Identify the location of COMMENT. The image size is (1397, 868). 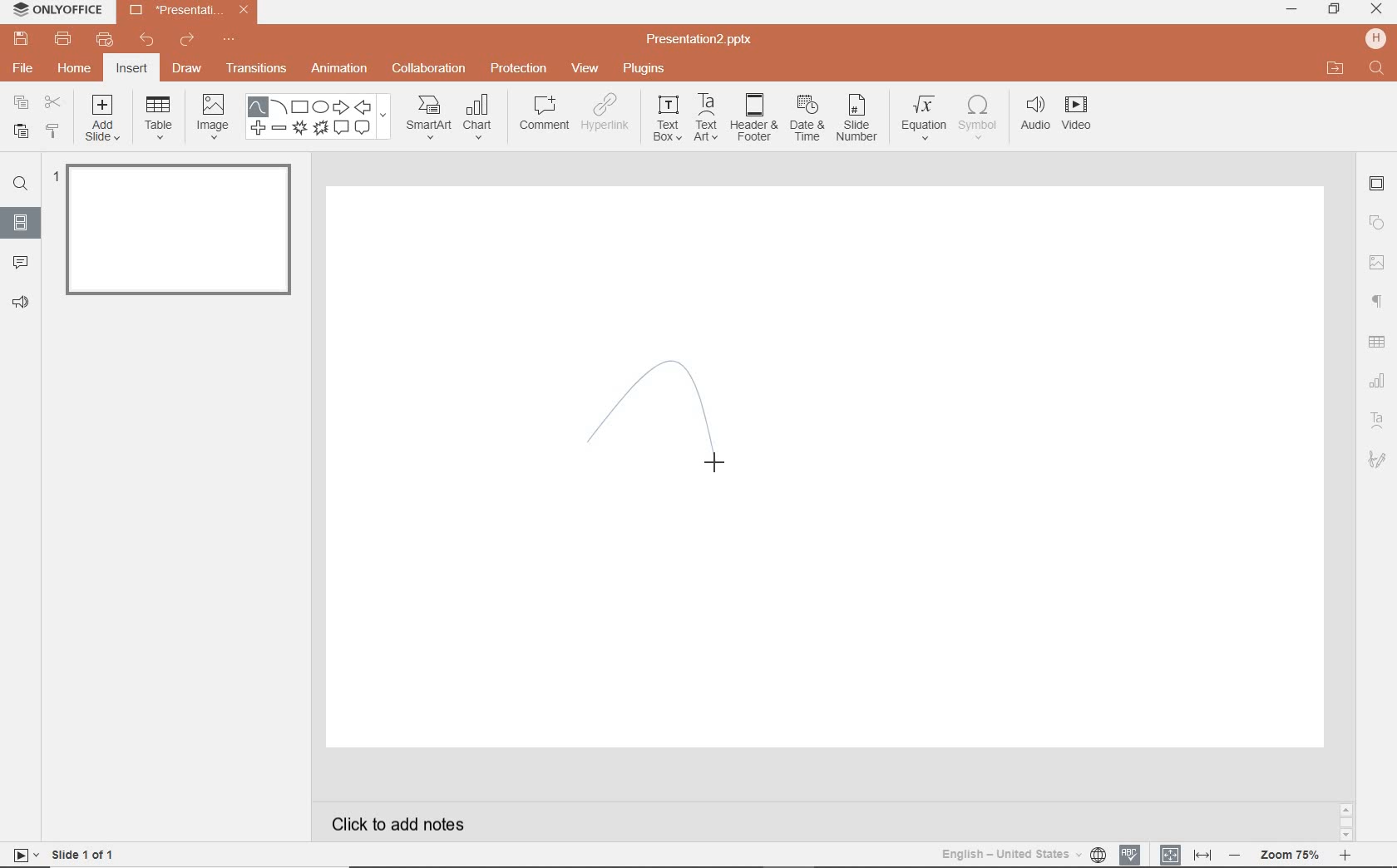
(542, 116).